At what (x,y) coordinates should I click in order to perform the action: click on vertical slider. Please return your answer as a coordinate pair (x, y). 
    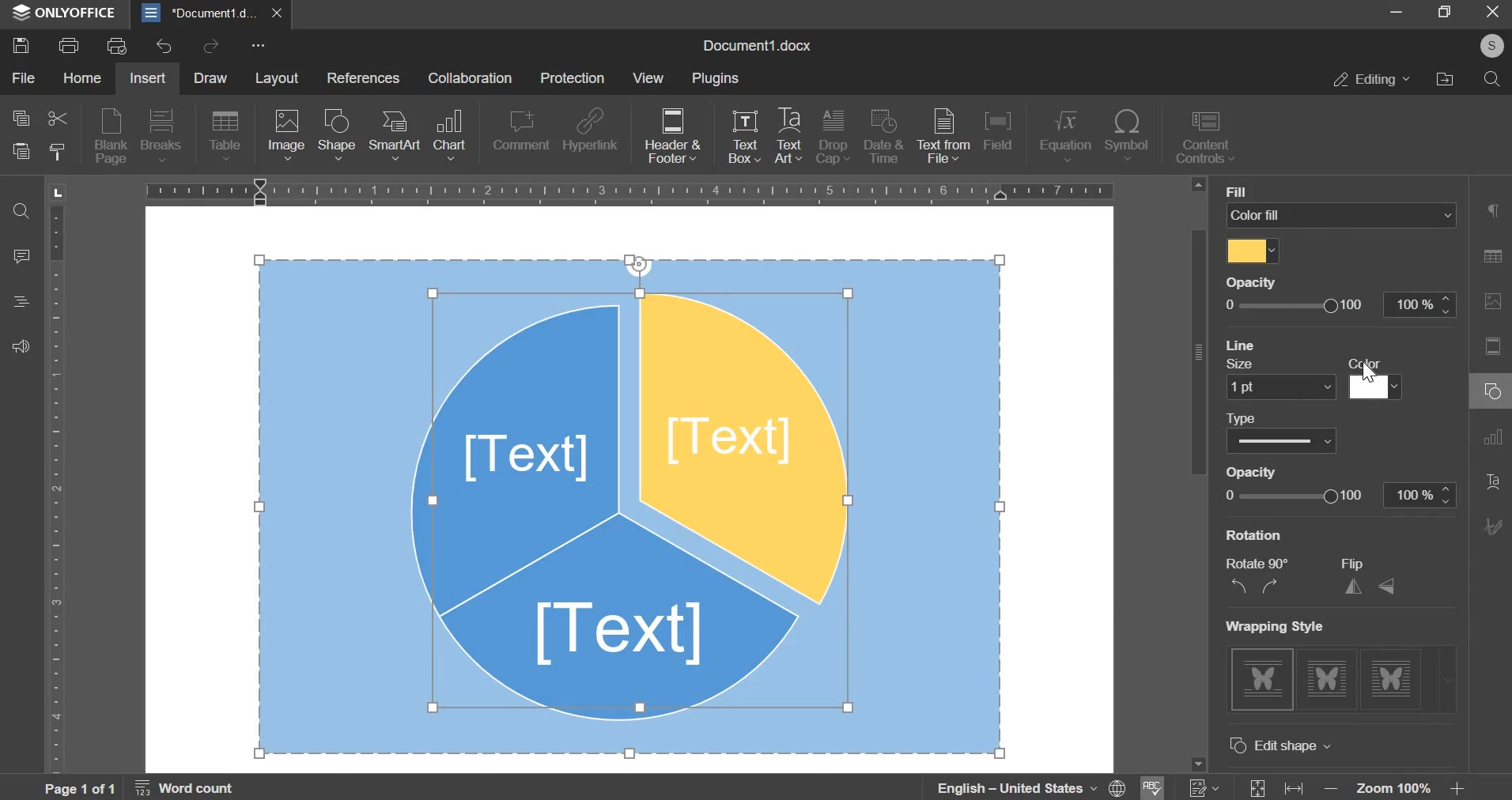
    Looking at the image, I should click on (1199, 477).